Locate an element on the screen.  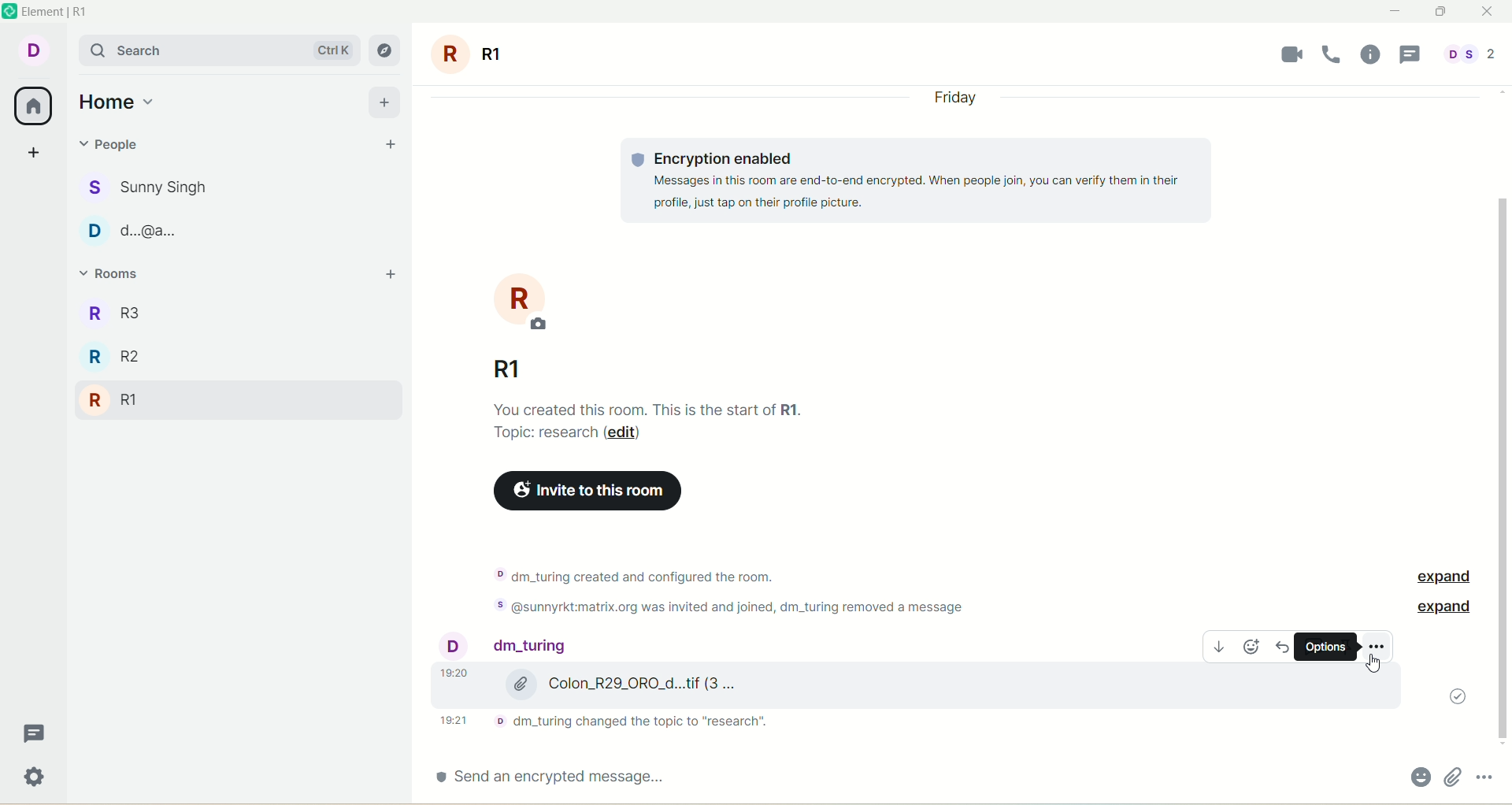
minimize is located at coordinates (1396, 9).